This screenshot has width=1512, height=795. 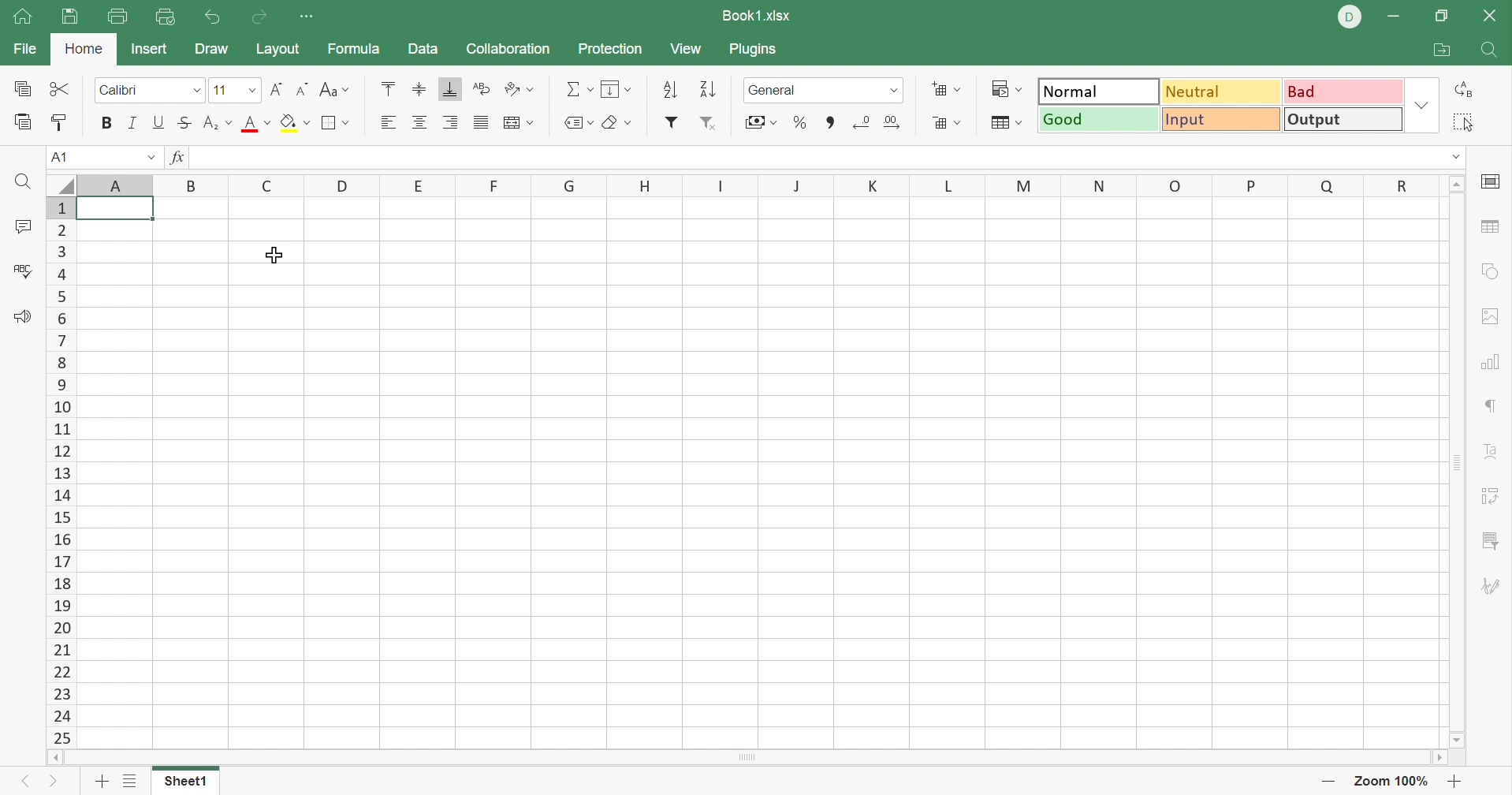 What do you see at coordinates (1490, 364) in the screenshot?
I see `Chart settings` at bounding box center [1490, 364].